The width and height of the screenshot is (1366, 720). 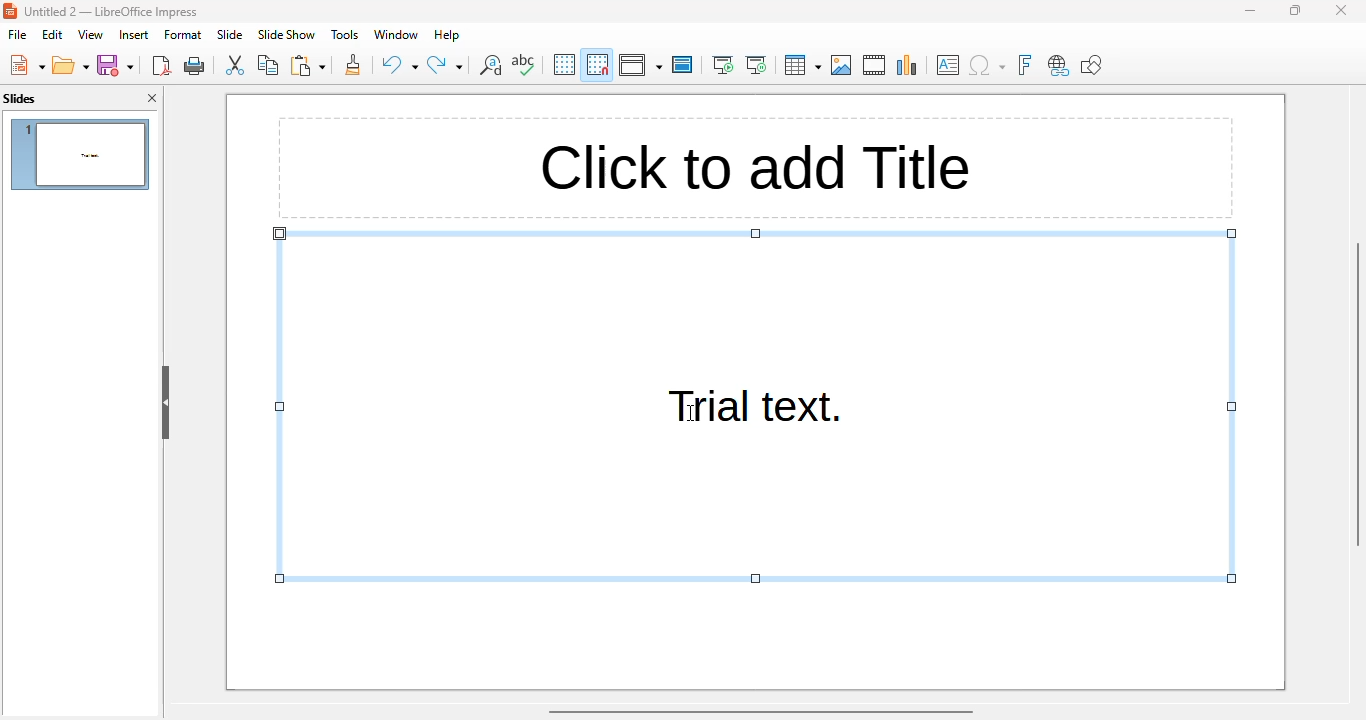 I want to click on close pane, so click(x=151, y=98).